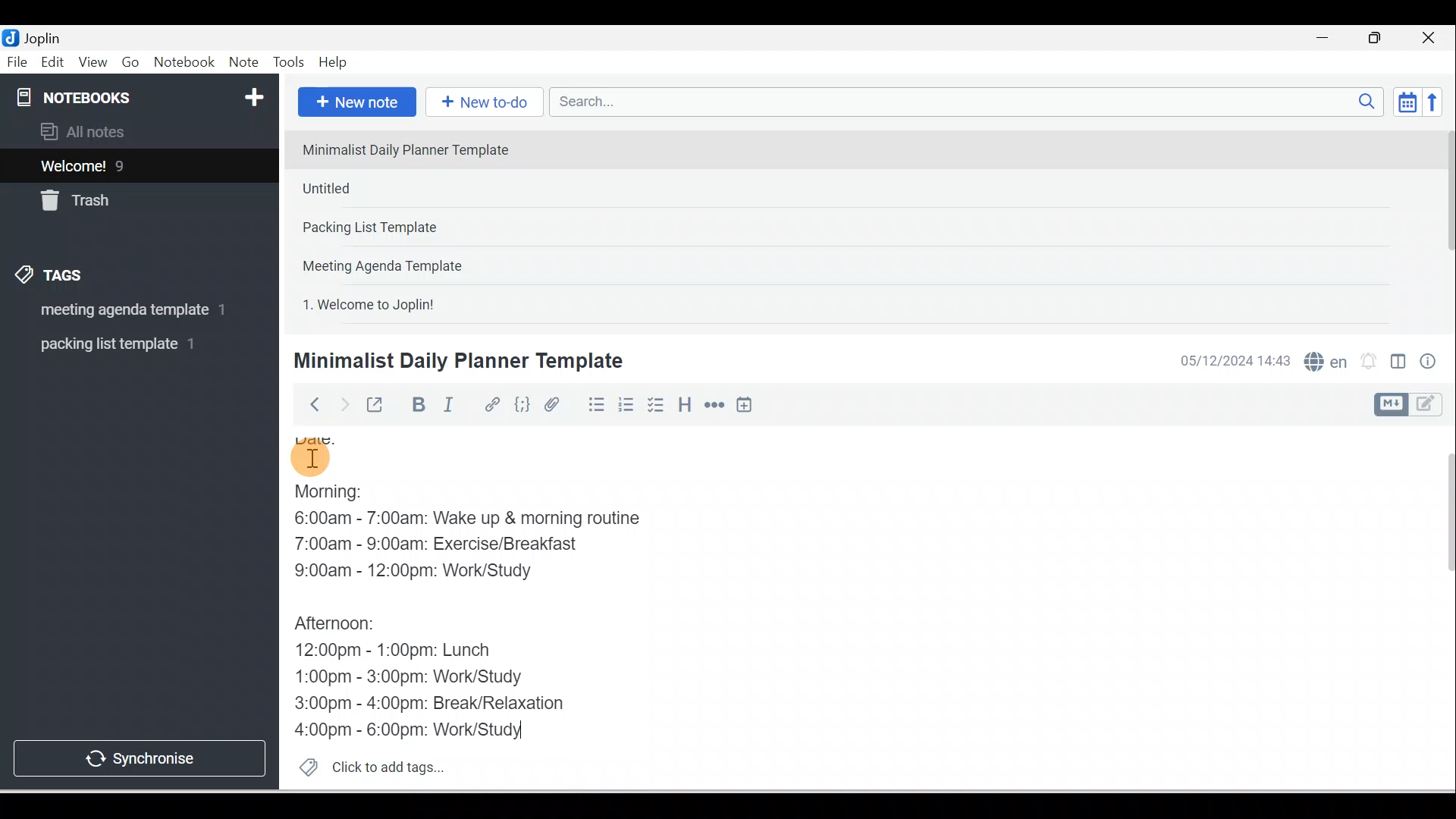 The height and width of the screenshot is (819, 1456). Describe the element at coordinates (18, 61) in the screenshot. I see `File` at that location.